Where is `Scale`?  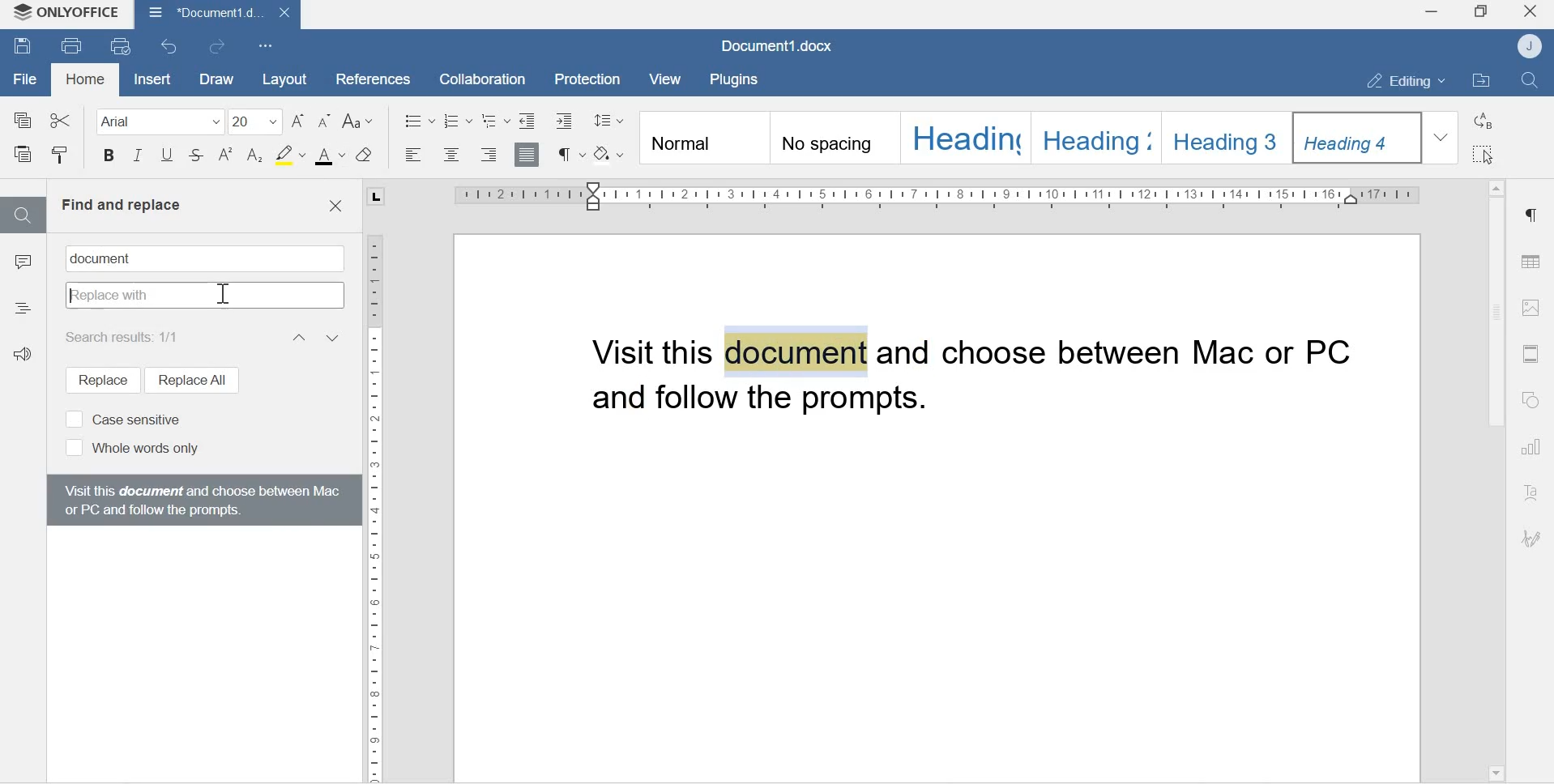
Scale is located at coordinates (921, 195).